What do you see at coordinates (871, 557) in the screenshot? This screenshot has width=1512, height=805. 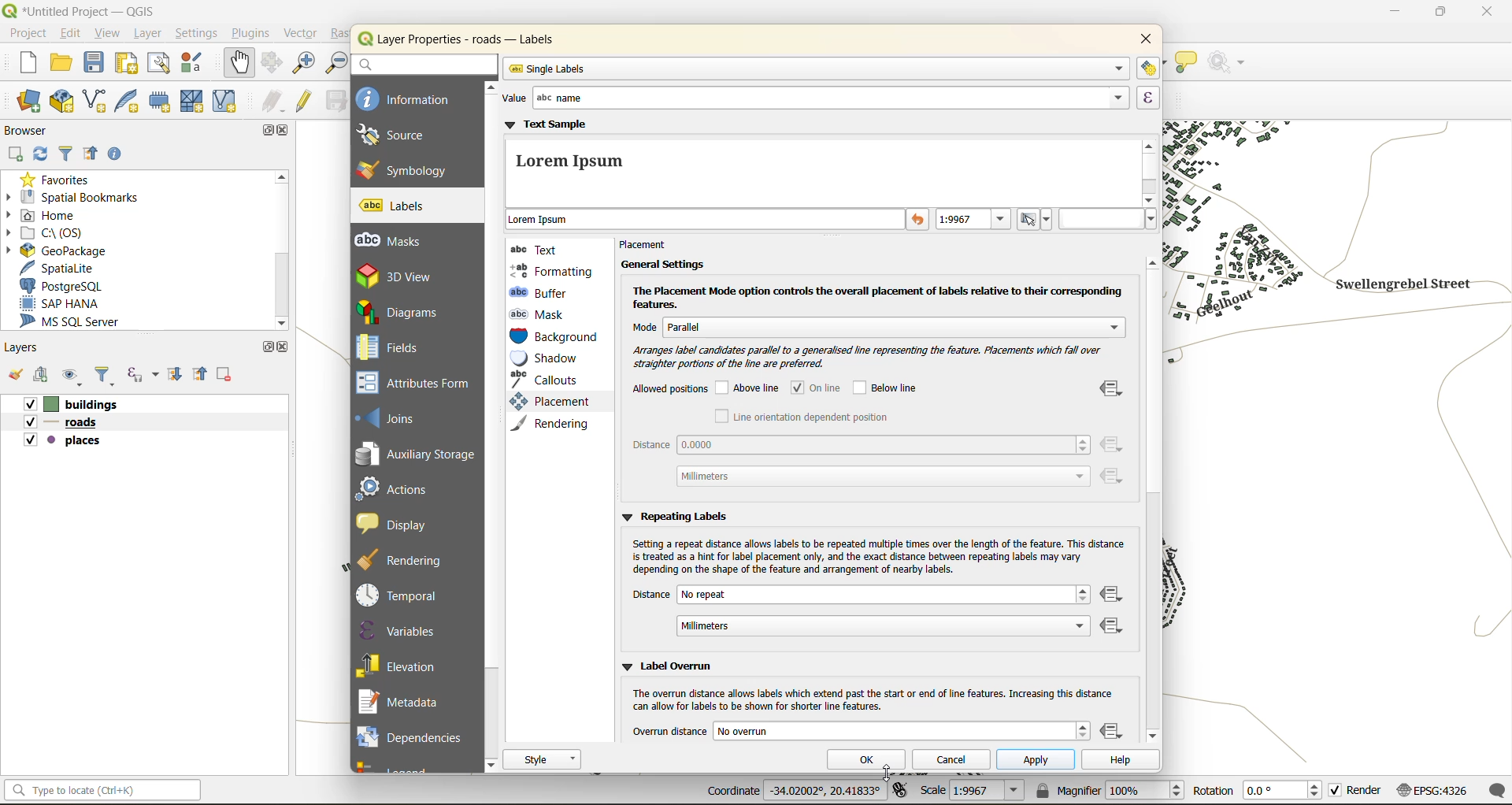 I see `‘Setting a repeat distance allows labels to be repeated multiple times over the length of the feature. This distance
is treated as a hint for label placement only, and the exact distance between repeating labels may vary
depending on the shape of the feature and arrangement of nearby labels.` at bounding box center [871, 557].